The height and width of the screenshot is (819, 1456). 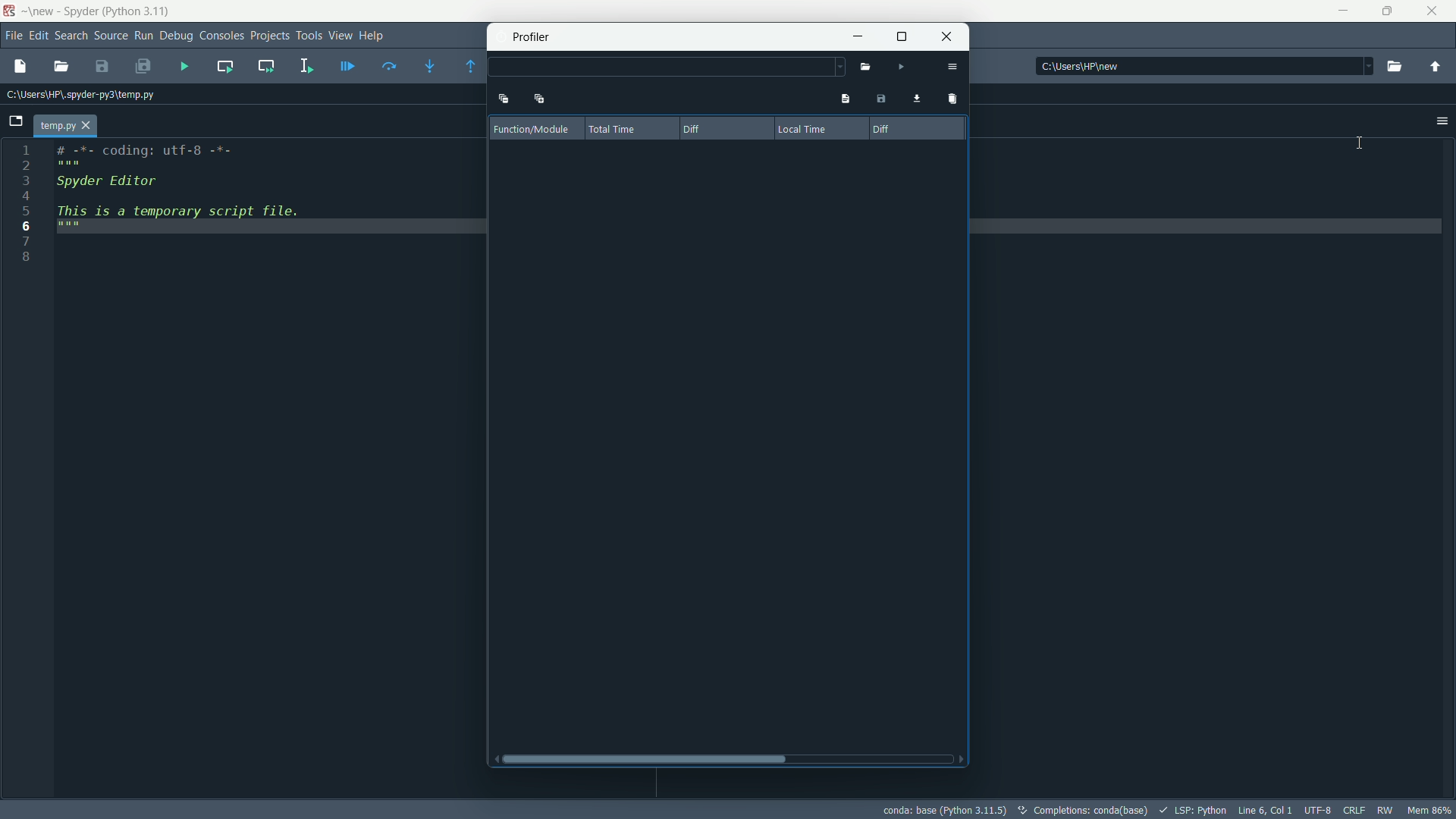 I want to click on remove comparison, so click(x=950, y=101).